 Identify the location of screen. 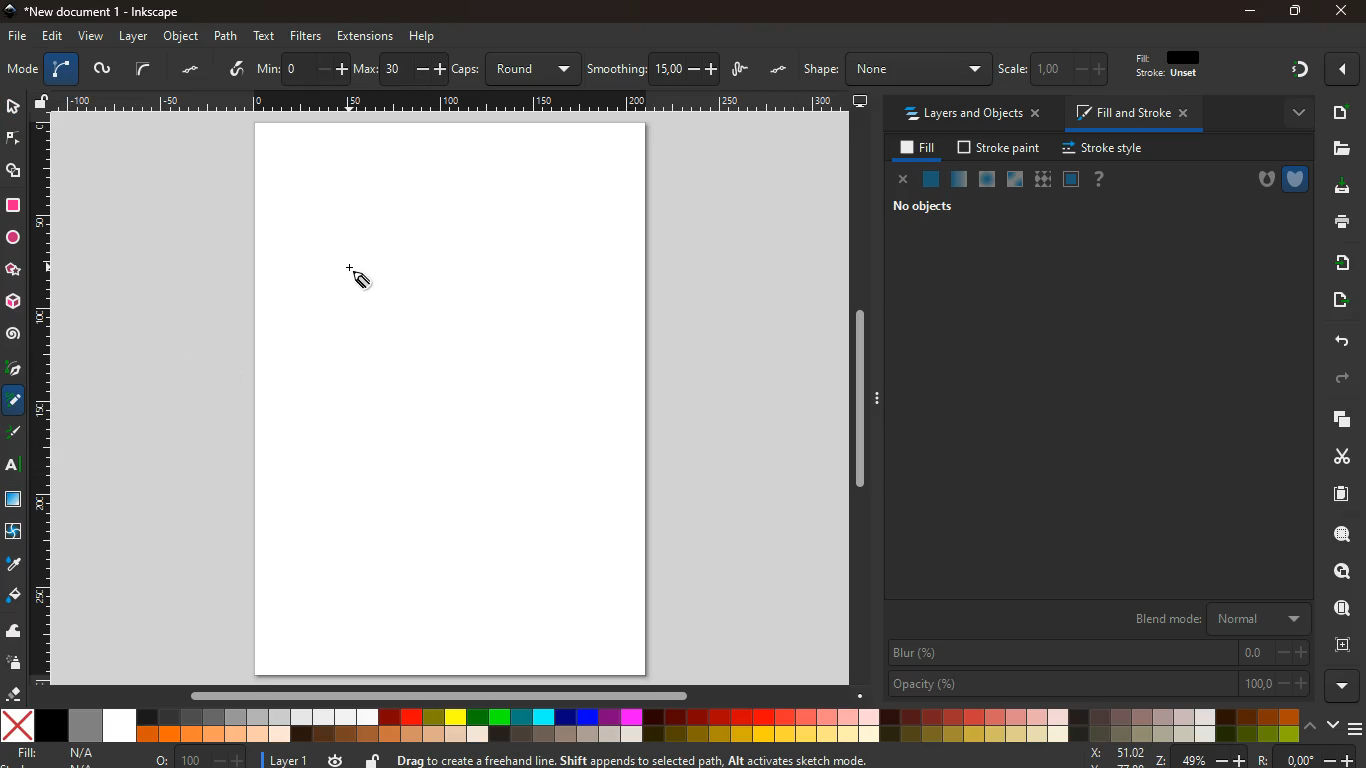
(861, 100).